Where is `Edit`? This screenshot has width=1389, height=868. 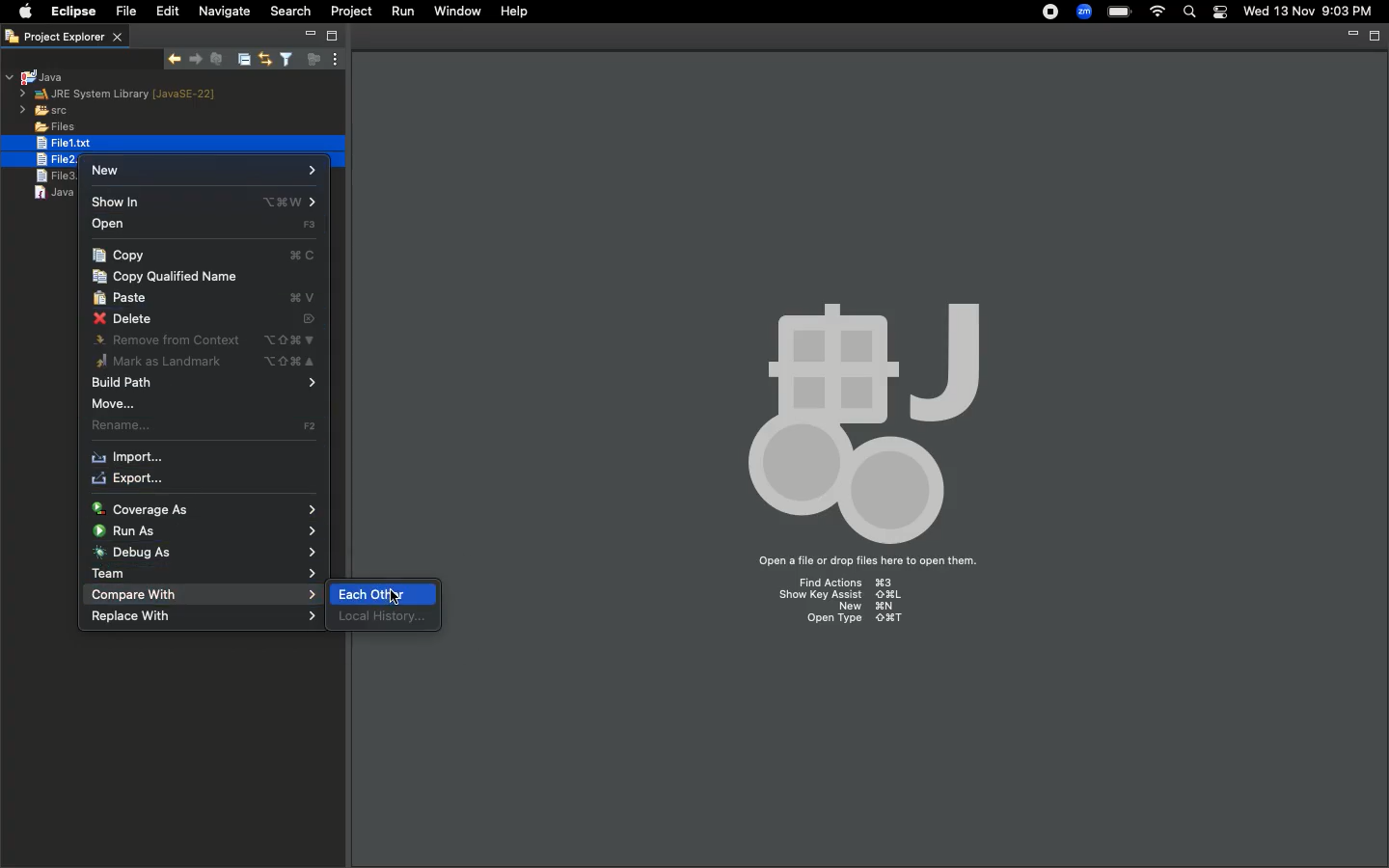
Edit is located at coordinates (164, 11).